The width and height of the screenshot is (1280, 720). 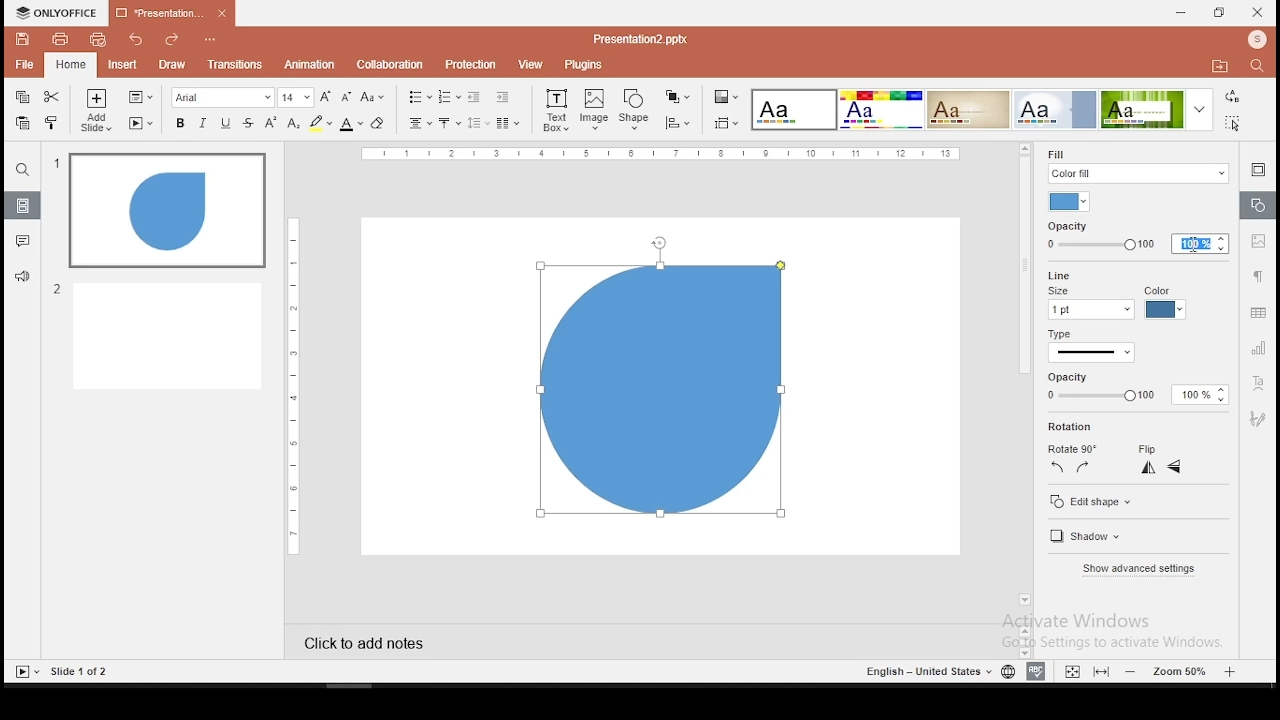 What do you see at coordinates (350, 125) in the screenshot?
I see `font color` at bounding box center [350, 125].